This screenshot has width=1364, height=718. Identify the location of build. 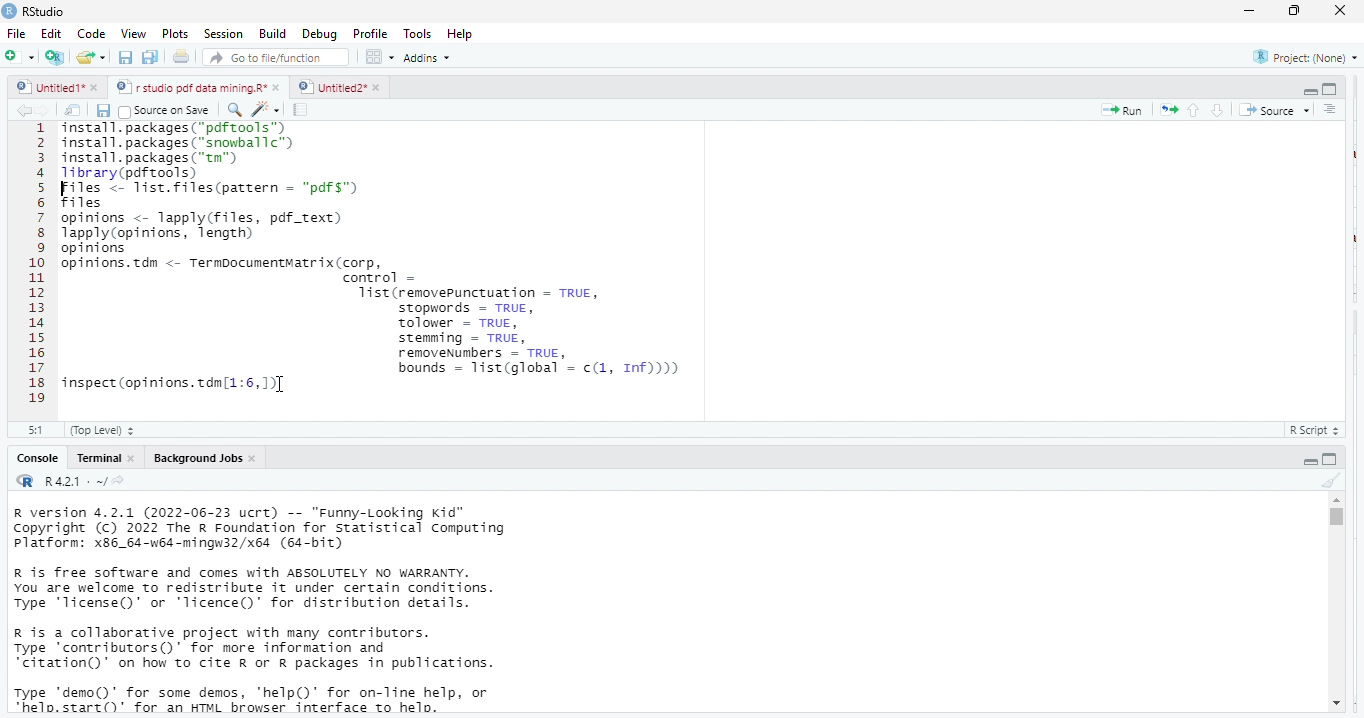
(273, 33).